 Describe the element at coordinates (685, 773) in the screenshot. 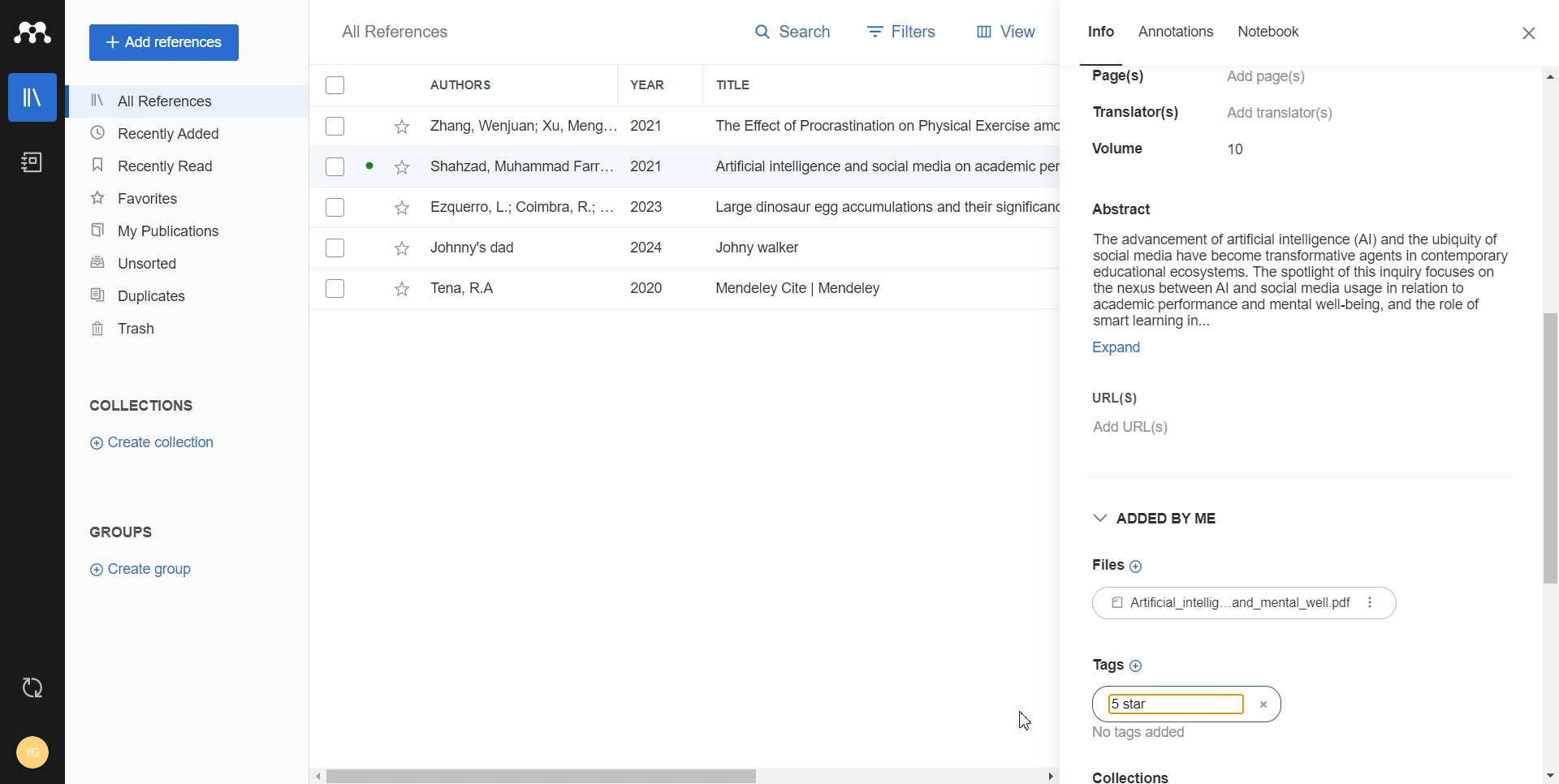

I see `Horizontal scroll bar` at that location.